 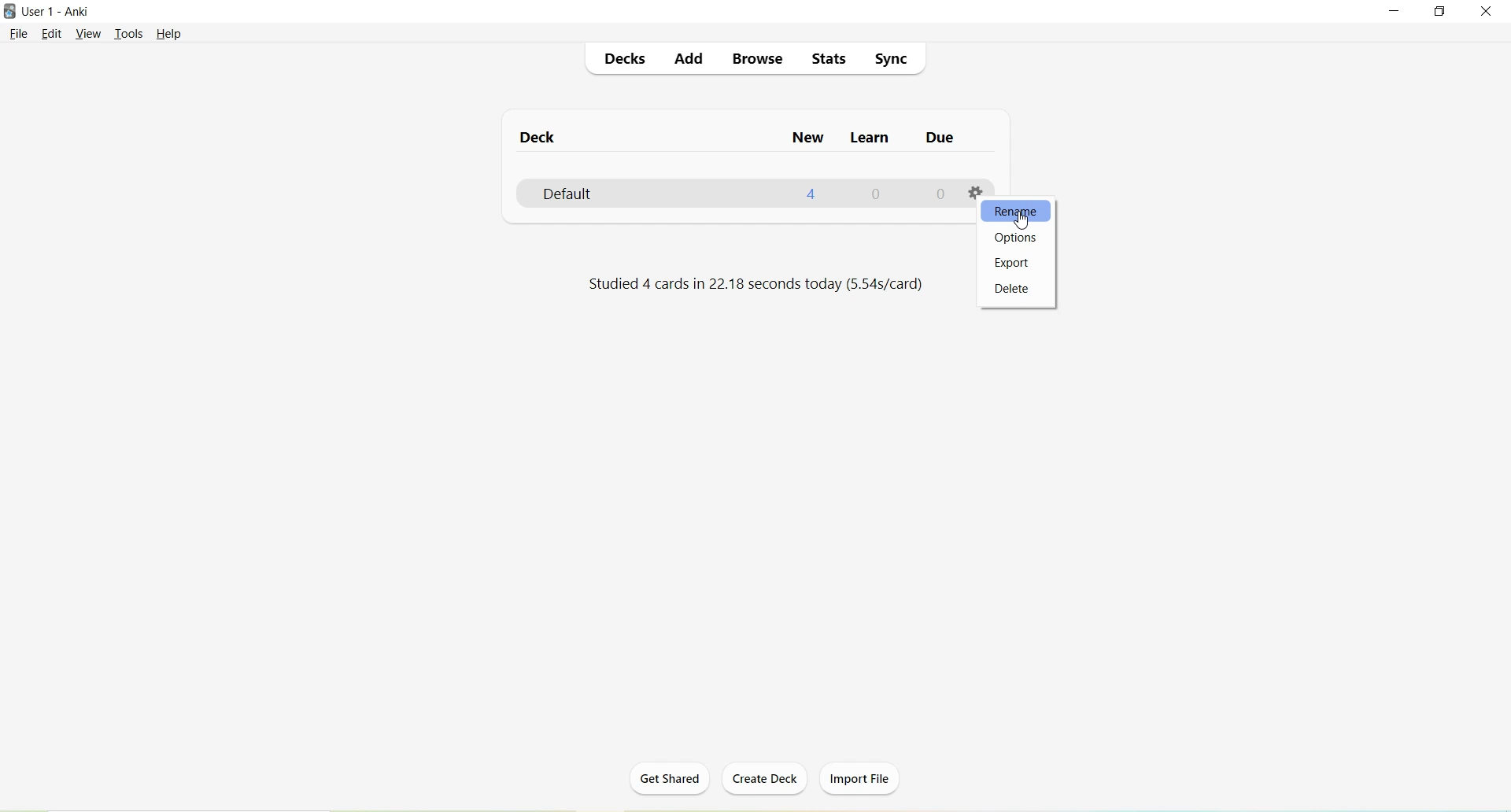 What do you see at coordinates (17, 35) in the screenshot?
I see `File` at bounding box center [17, 35].